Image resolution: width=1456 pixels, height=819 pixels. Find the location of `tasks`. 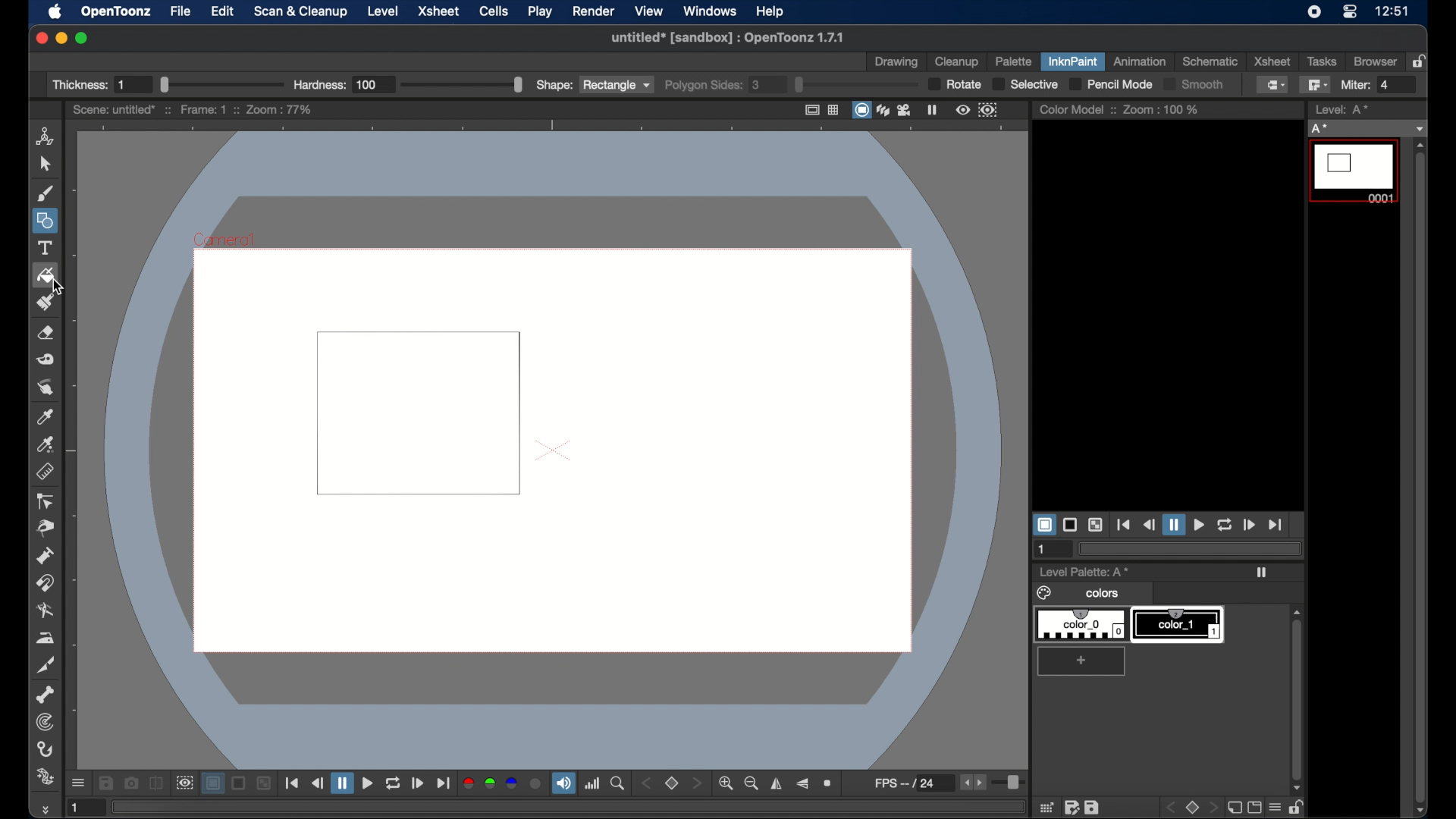

tasks is located at coordinates (1321, 61).